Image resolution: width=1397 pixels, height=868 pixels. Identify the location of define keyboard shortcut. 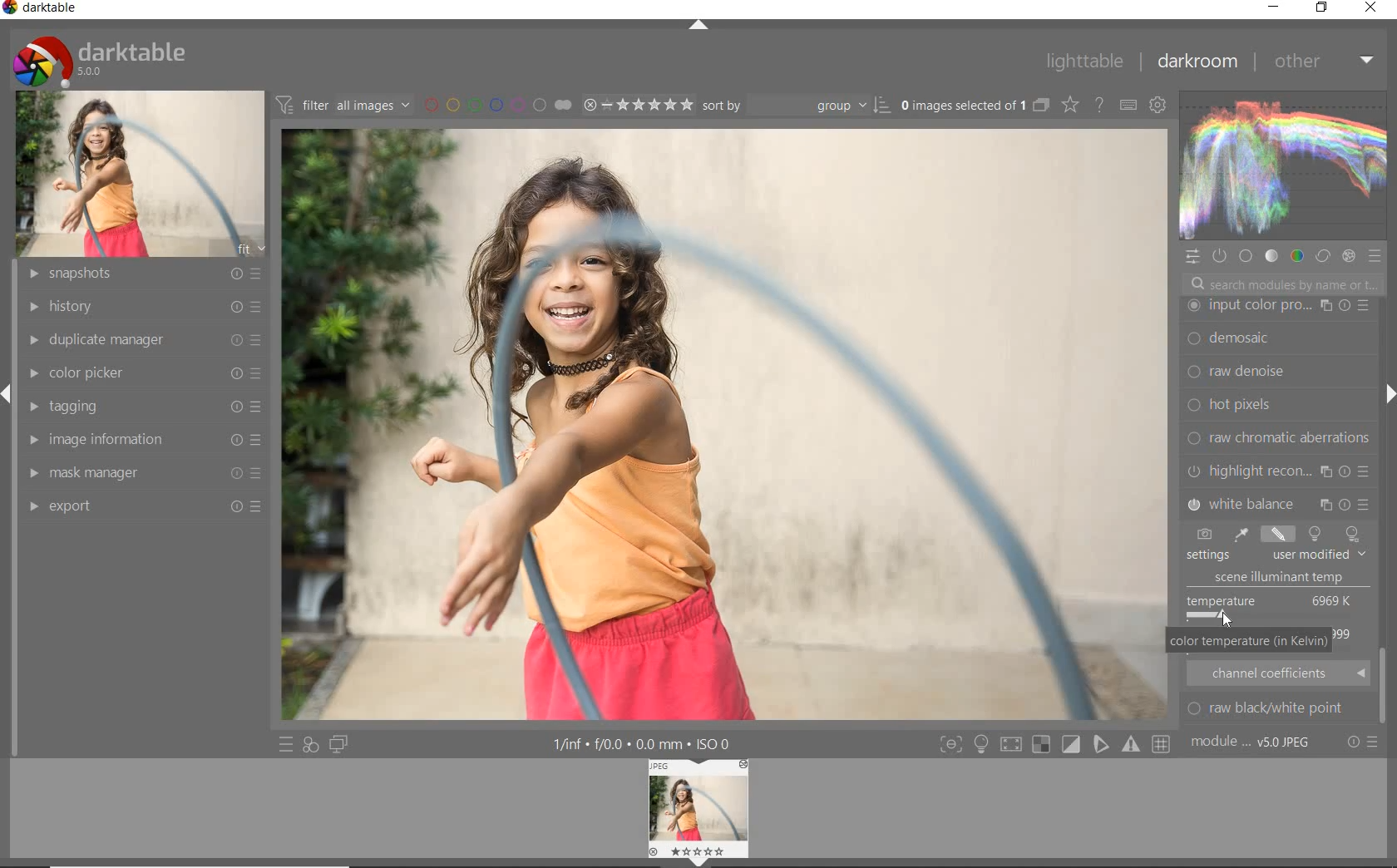
(1128, 105).